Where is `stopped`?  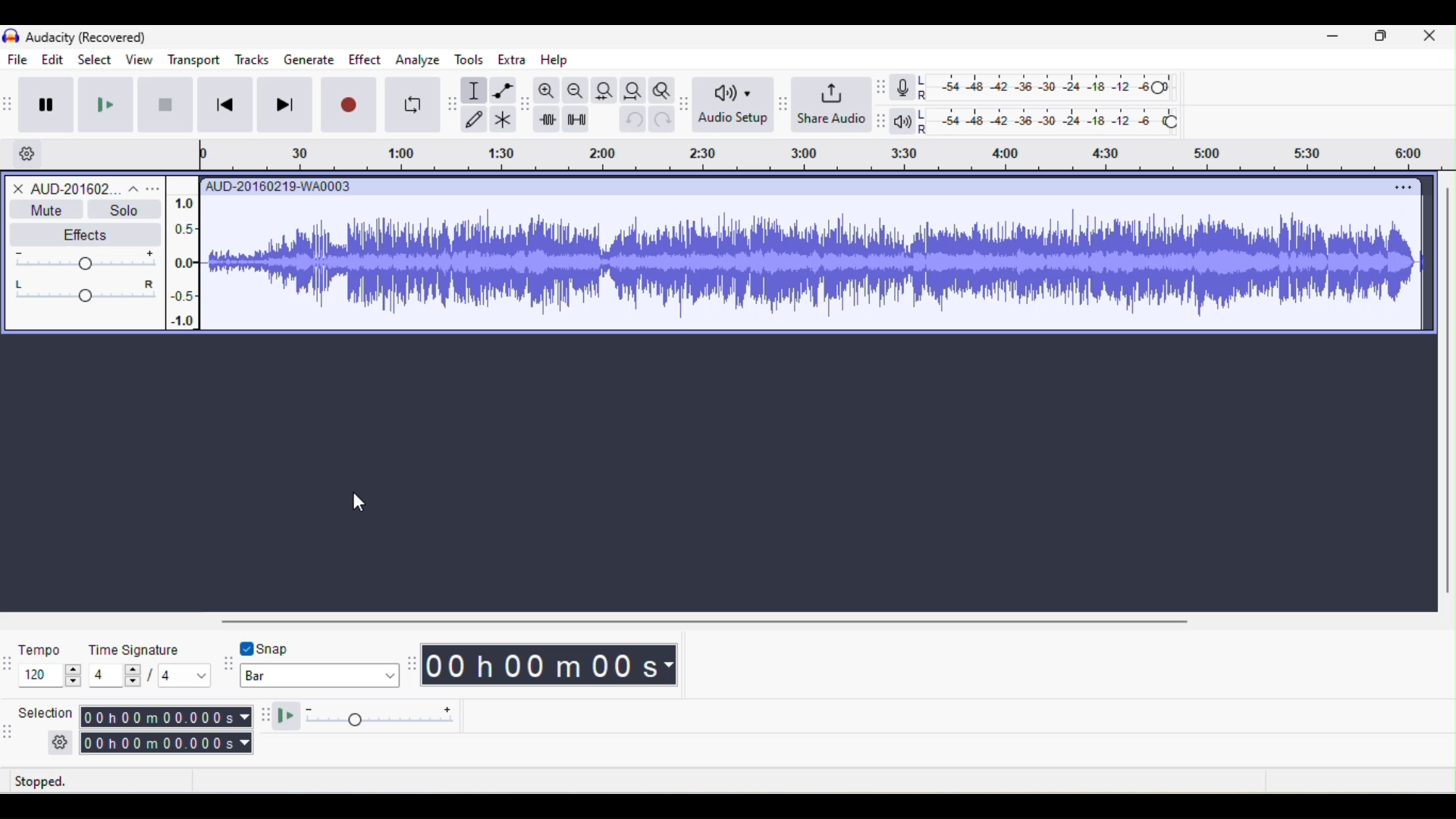
stopped is located at coordinates (61, 782).